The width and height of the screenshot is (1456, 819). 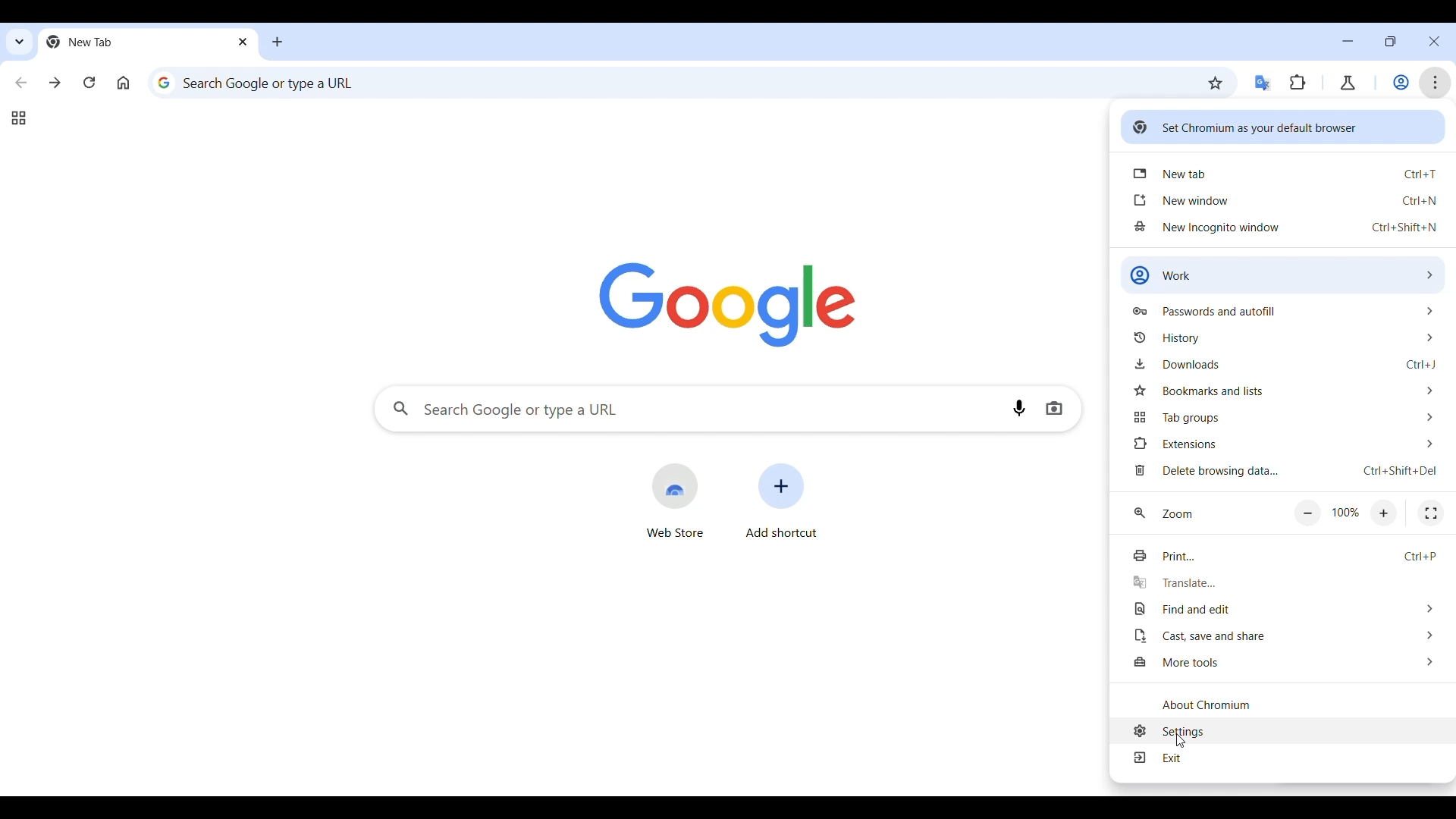 I want to click on Show interface in a smaller tab, so click(x=1391, y=41).